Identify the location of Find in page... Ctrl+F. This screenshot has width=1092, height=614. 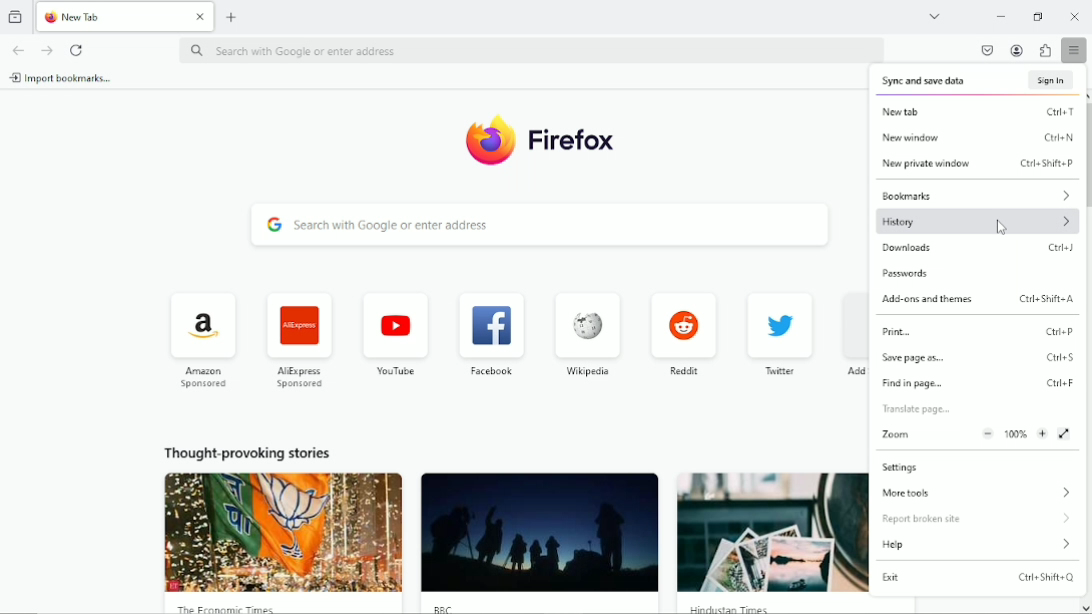
(979, 383).